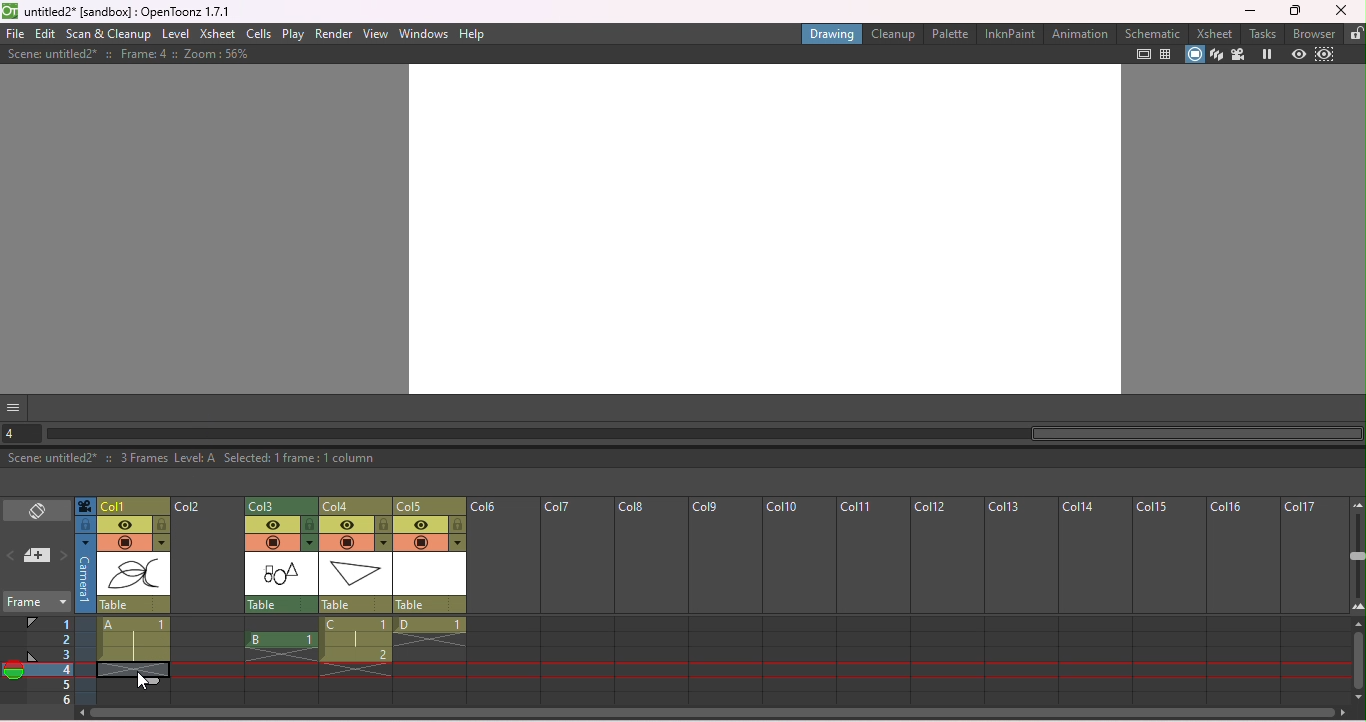 The image size is (1366, 722). What do you see at coordinates (1266, 55) in the screenshot?
I see `Freeze` at bounding box center [1266, 55].